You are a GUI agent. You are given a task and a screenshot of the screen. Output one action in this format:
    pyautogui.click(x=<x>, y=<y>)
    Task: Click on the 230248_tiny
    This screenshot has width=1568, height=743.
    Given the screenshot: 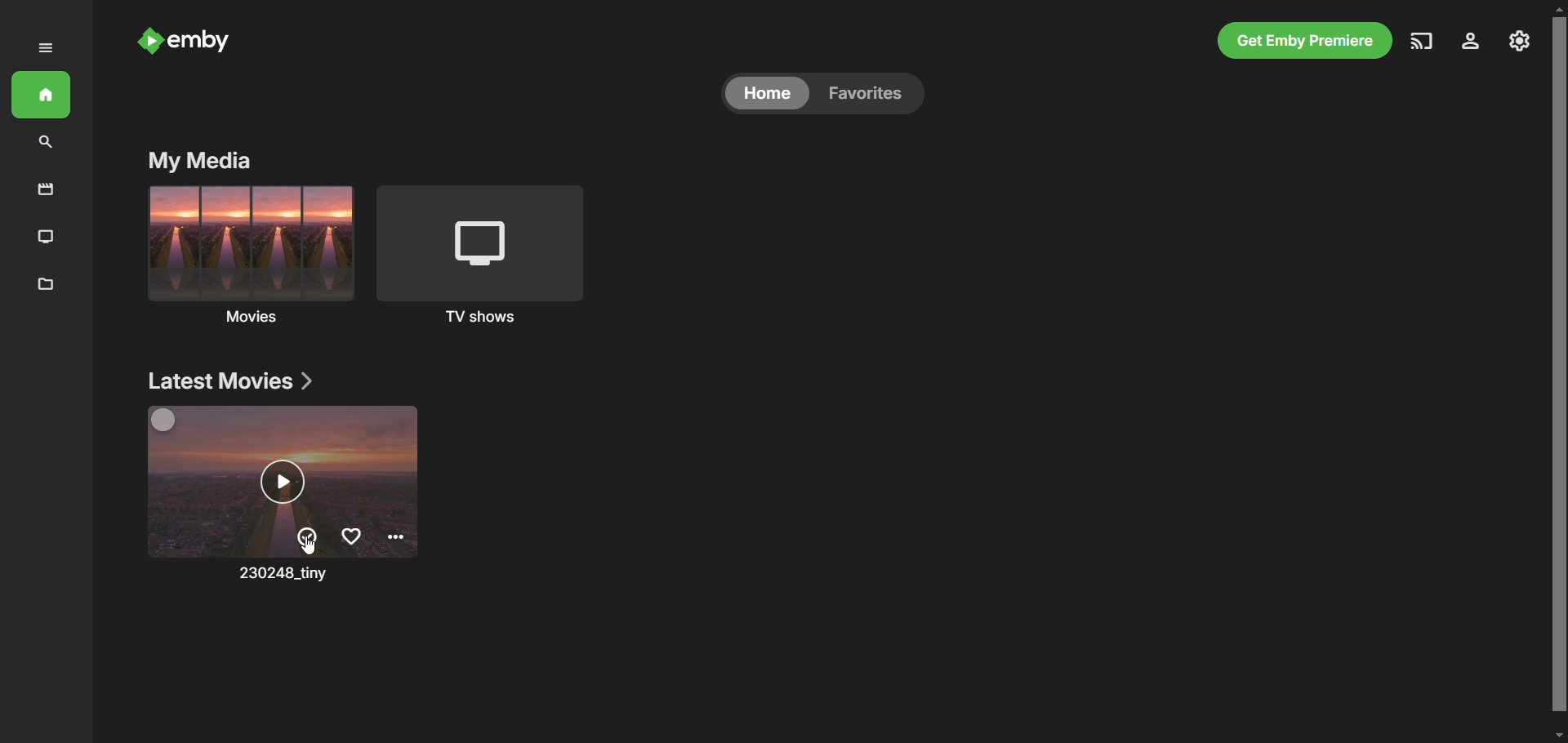 What is the action you would take?
    pyautogui.click(x=282, y=577)
    